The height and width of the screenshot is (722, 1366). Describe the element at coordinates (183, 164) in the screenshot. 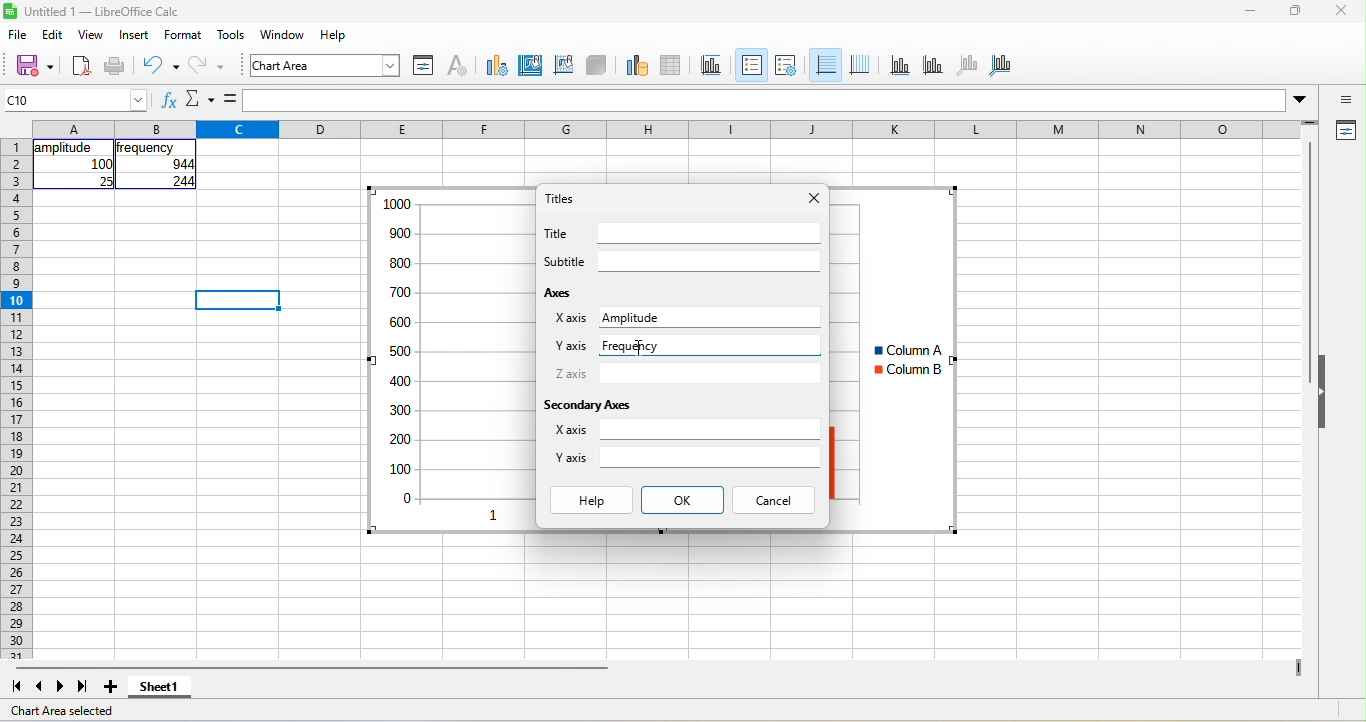

I see `044` at that location.